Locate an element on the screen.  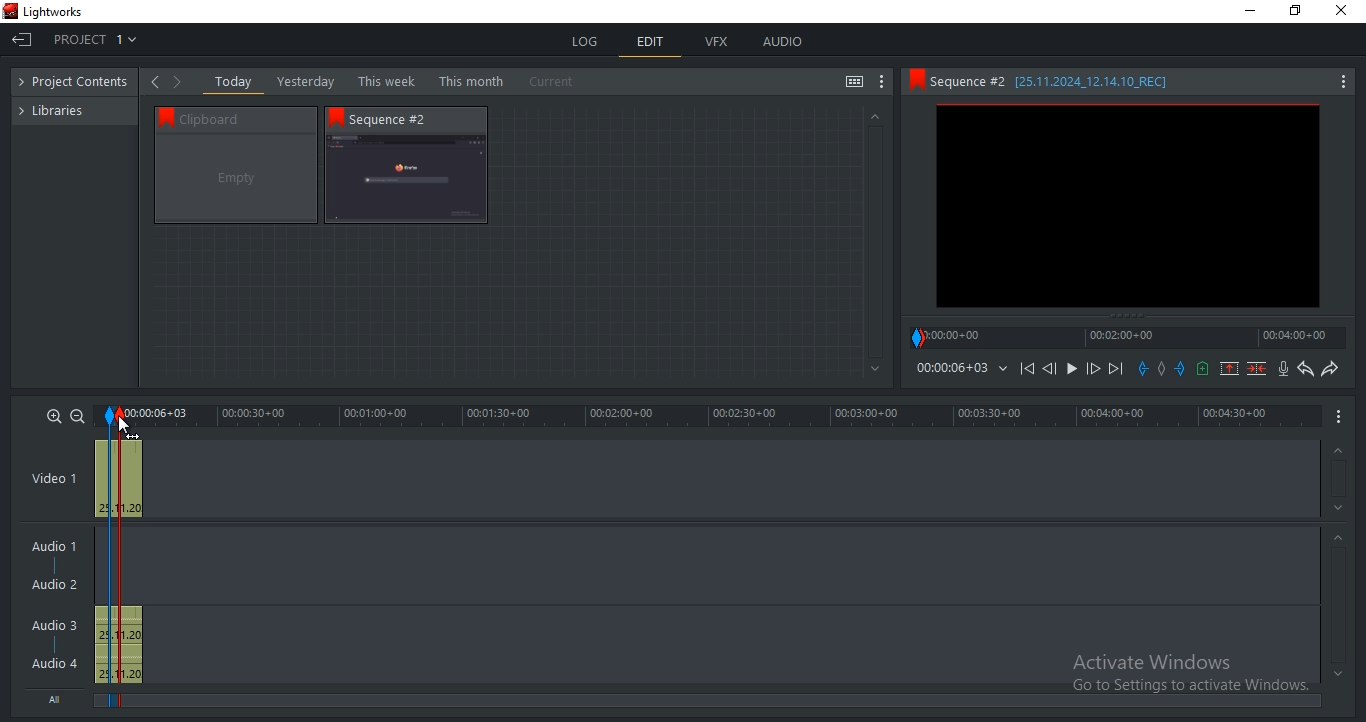
zoom in is located at coordinates (54, 415).